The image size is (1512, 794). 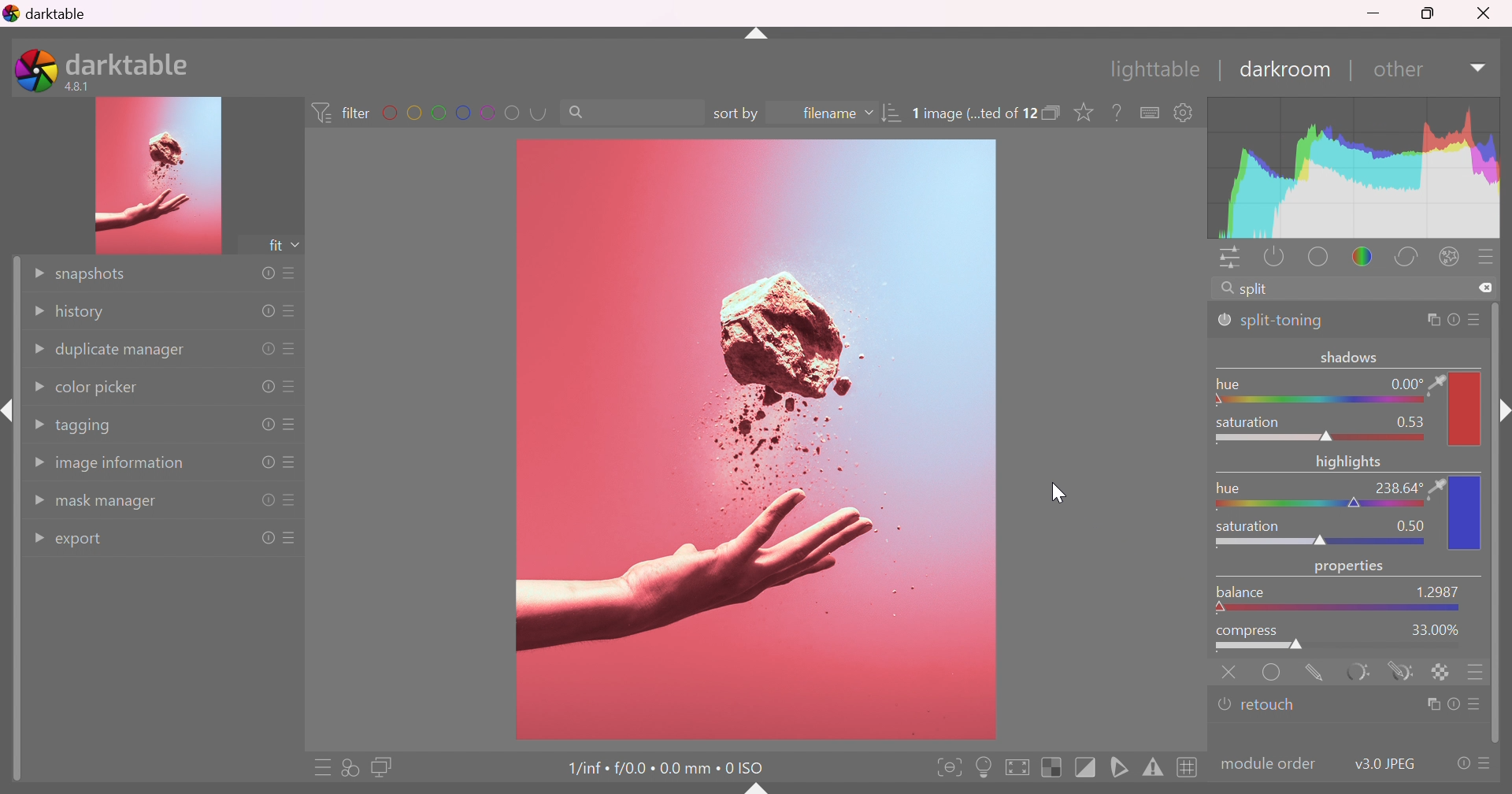 What do you see at coordinates (895, 110) in the screenshot?
I see `sort` at bounding box center [895, 110].